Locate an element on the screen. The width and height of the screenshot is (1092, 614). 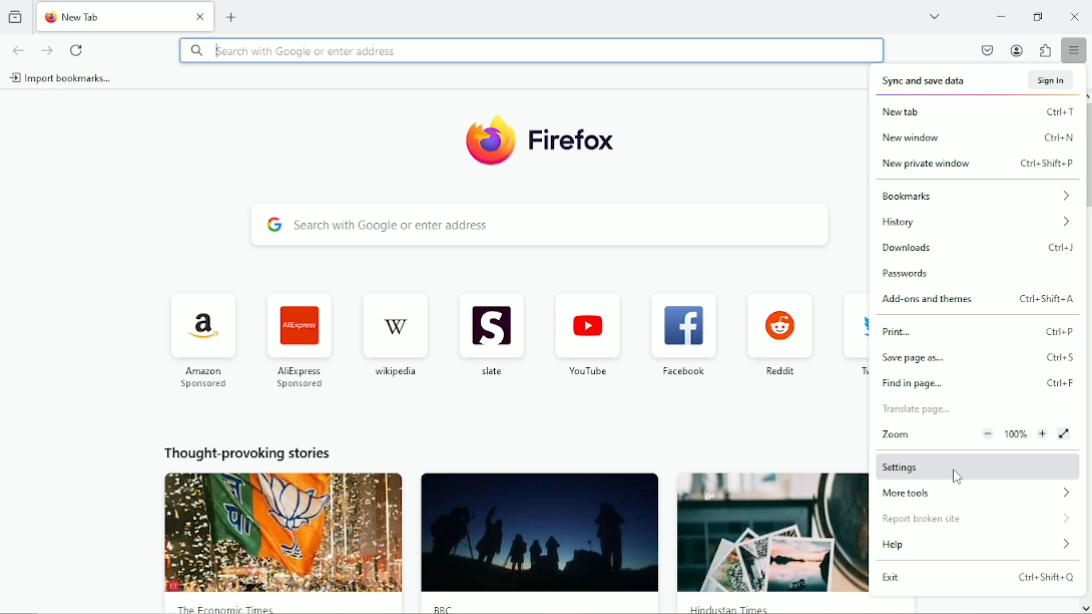
Amazon is located at coordinates (201, 339).